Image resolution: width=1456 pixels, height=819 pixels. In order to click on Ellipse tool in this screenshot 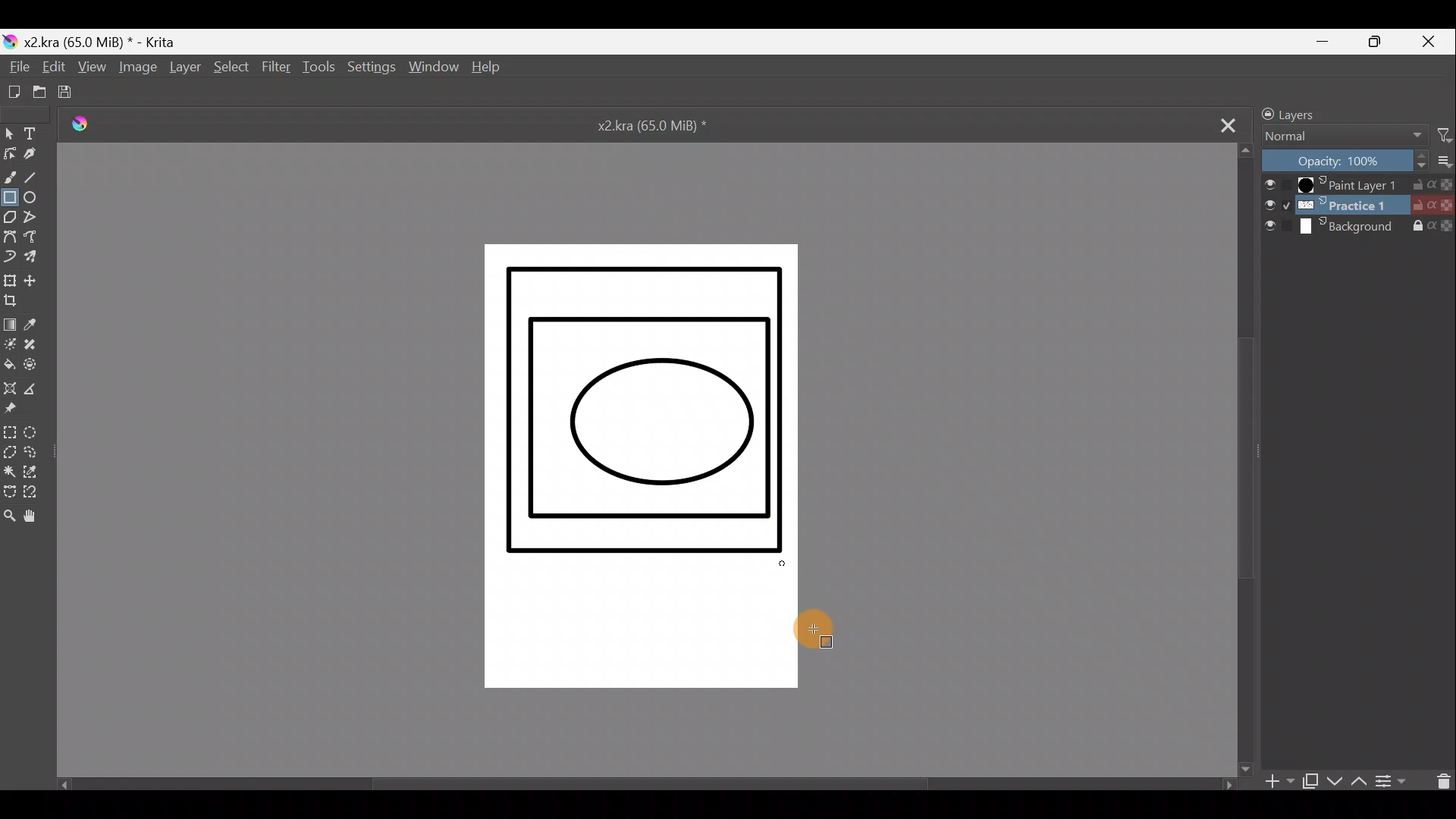, I will do `click(36, 200)`.